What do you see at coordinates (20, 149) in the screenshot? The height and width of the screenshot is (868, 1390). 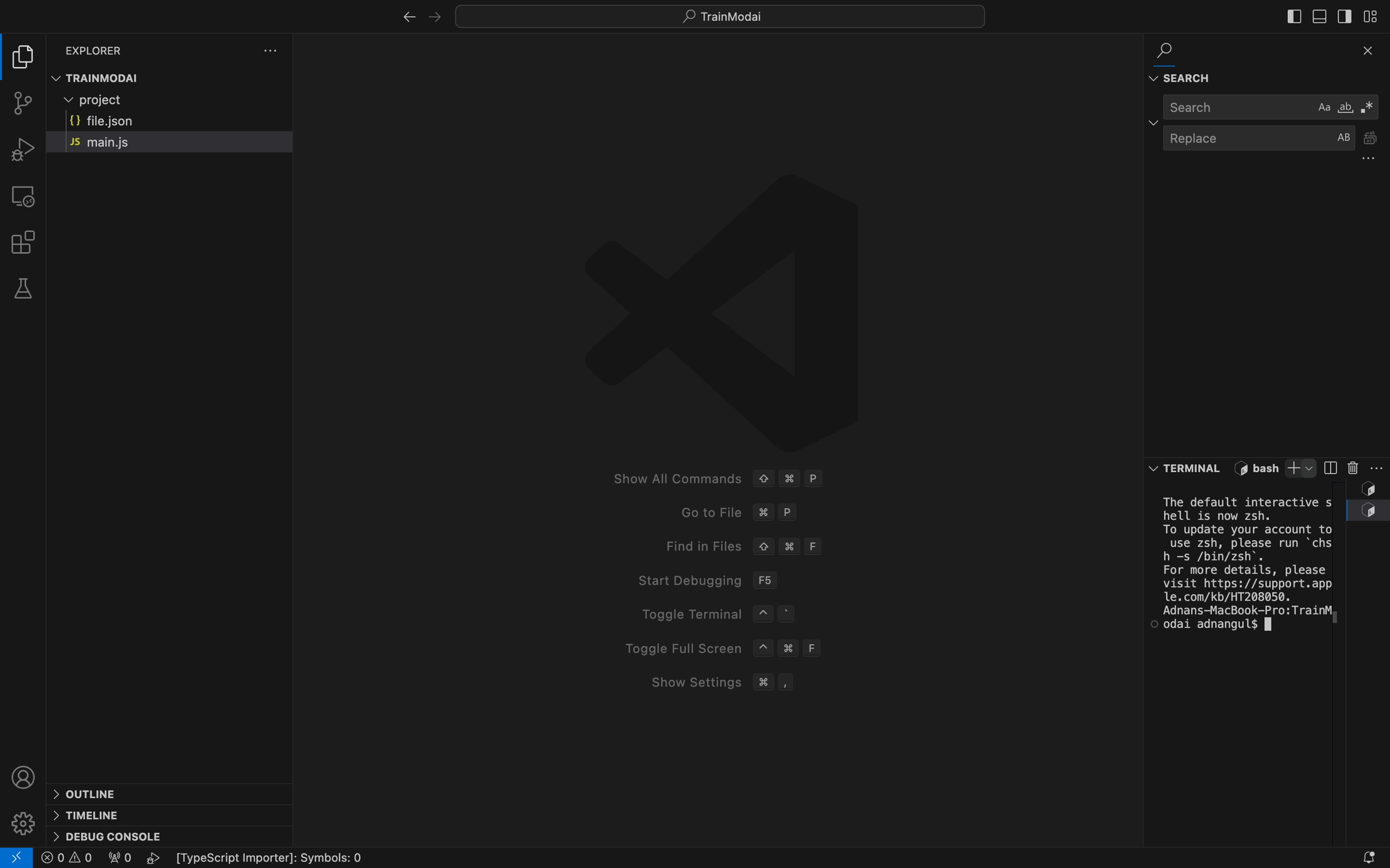 I see `debugger` at bounding box center [20, 149].